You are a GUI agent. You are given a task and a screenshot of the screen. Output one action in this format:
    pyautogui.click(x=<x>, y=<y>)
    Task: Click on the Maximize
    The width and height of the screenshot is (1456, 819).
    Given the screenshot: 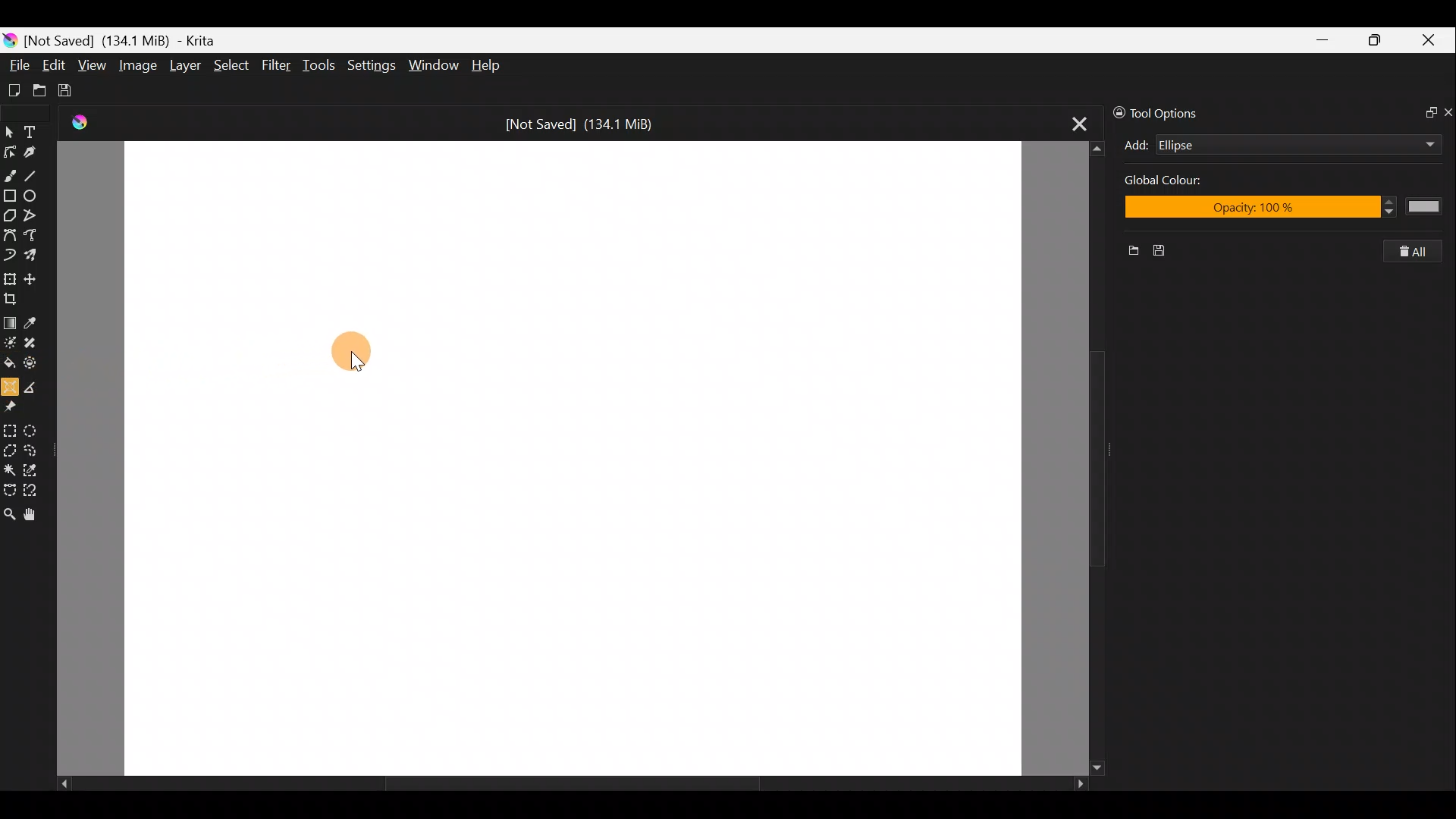 What is the action you would take?
    pyautogui.click(x=1379, y=39)
    